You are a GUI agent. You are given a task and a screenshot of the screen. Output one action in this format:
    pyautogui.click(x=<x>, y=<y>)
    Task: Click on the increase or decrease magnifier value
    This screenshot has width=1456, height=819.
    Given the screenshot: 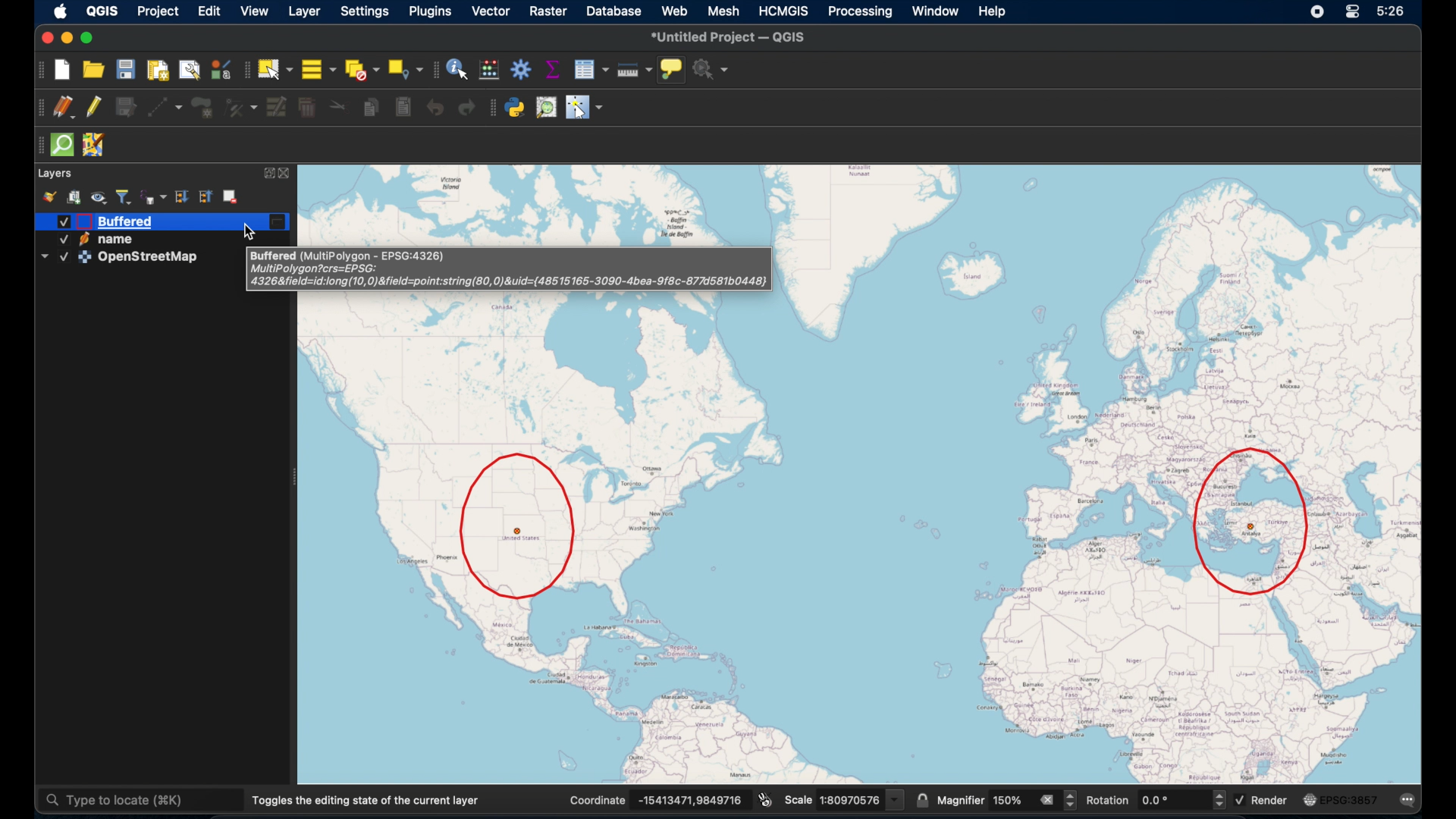 What is the action you would take?
    pyautogui.click(x=1072, y=800)
    